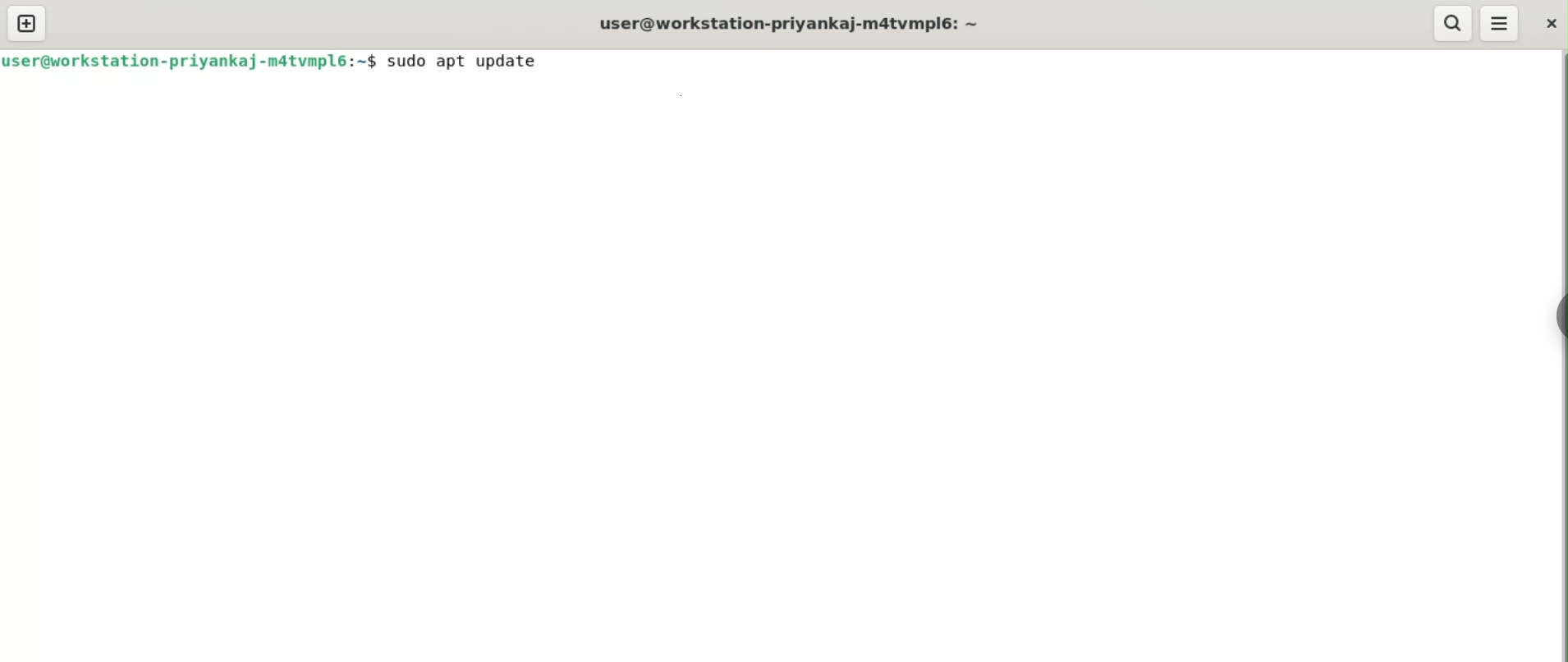 The height and width of the screenshot is (662, 1568). Describe the element at coordinates (1550, 22) in the screenshot. I see `close` at that location.